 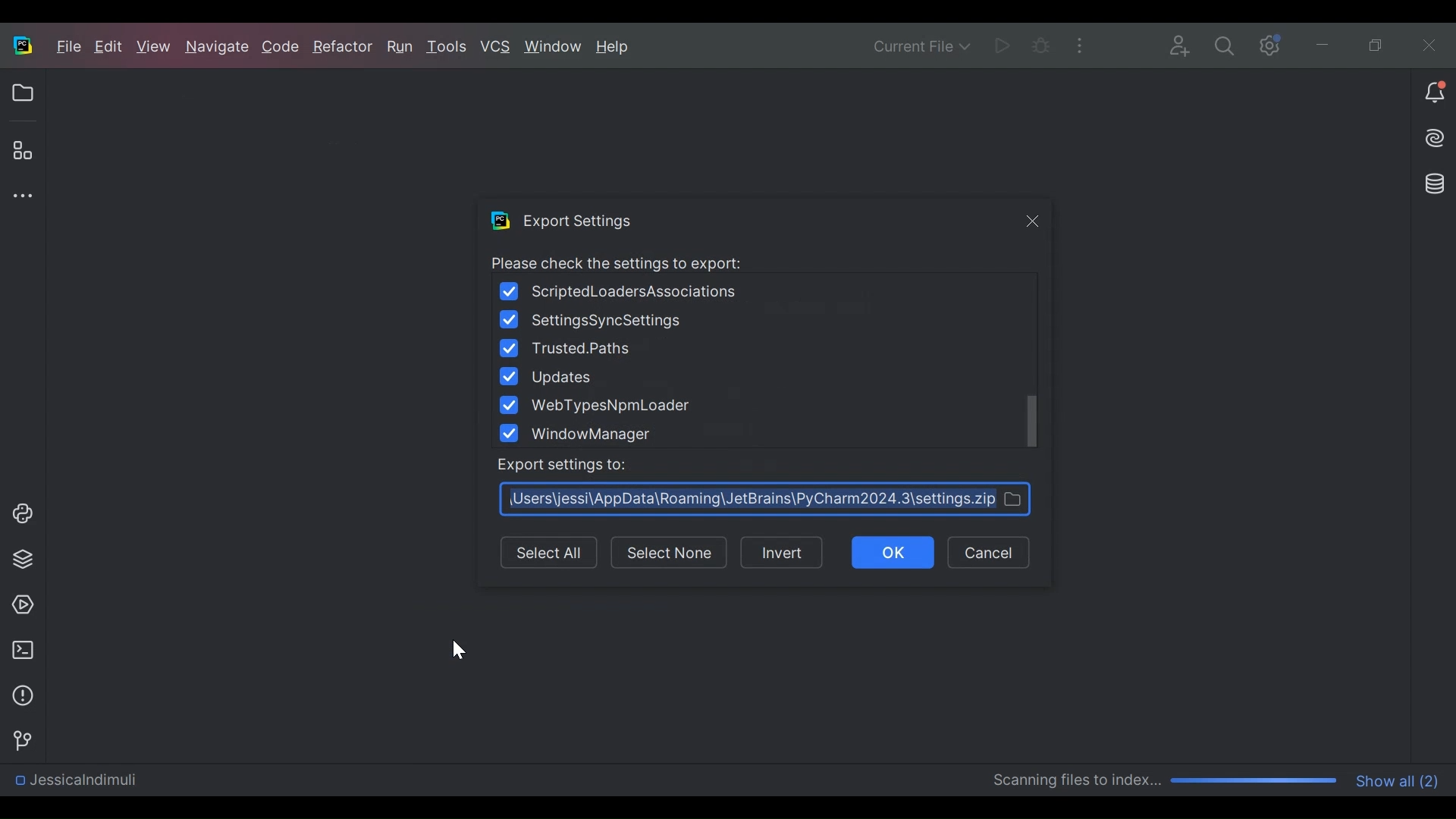 What do you see at coordinates (19, 196) in the screenshot?
I see `More Tool window` at bounding box center [19, 196].